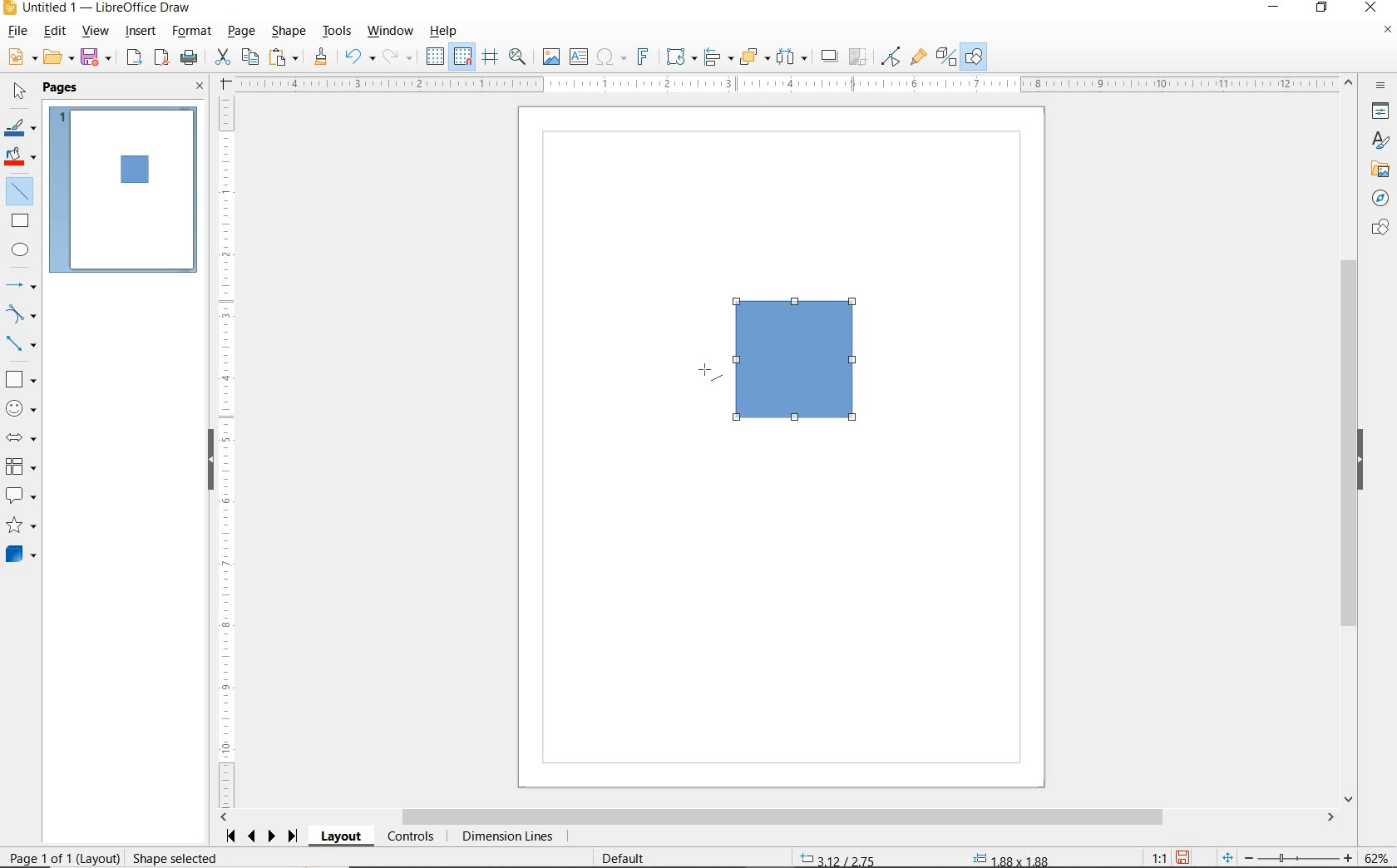 The width and height of the screenshot is (1397, 868). What do you see at coordinates (210, 461) in the screenshot?
I see `HIDE` at bounding box center [210, 461].